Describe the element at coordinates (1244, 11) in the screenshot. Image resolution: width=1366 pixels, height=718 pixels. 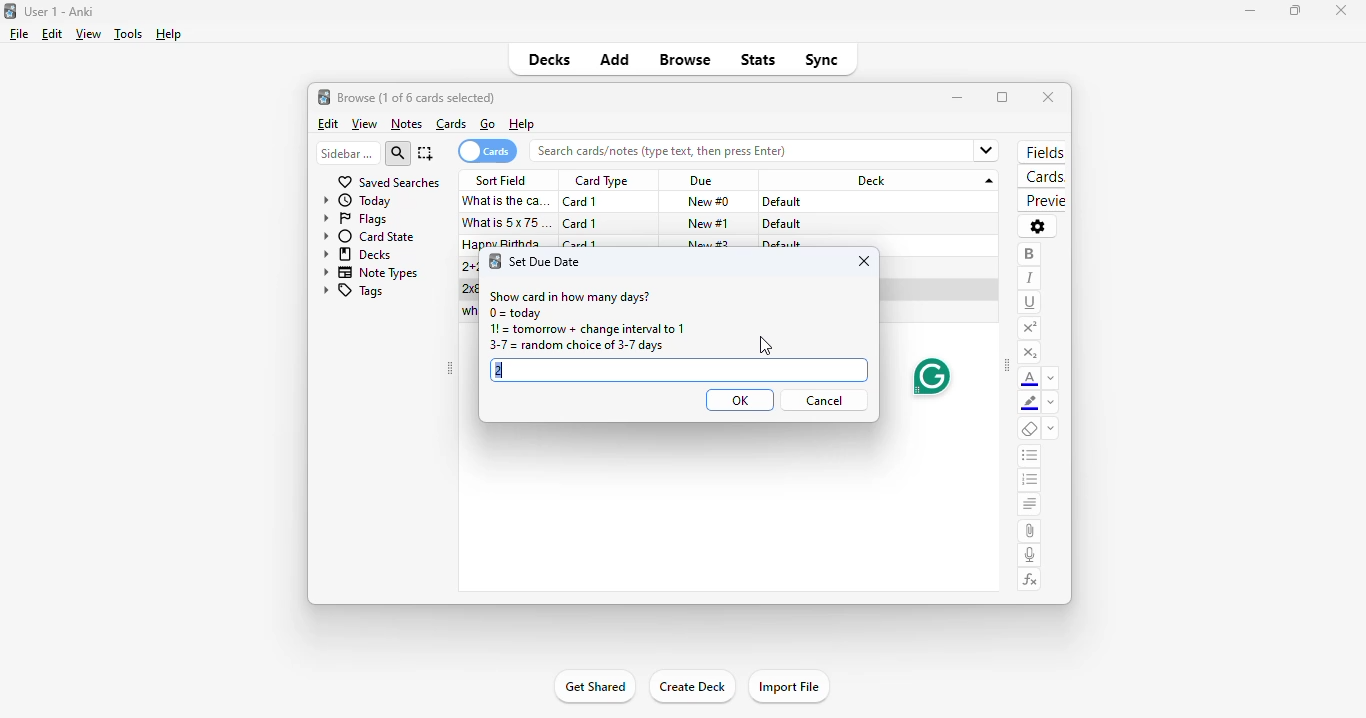
I see `minimize` at that location.